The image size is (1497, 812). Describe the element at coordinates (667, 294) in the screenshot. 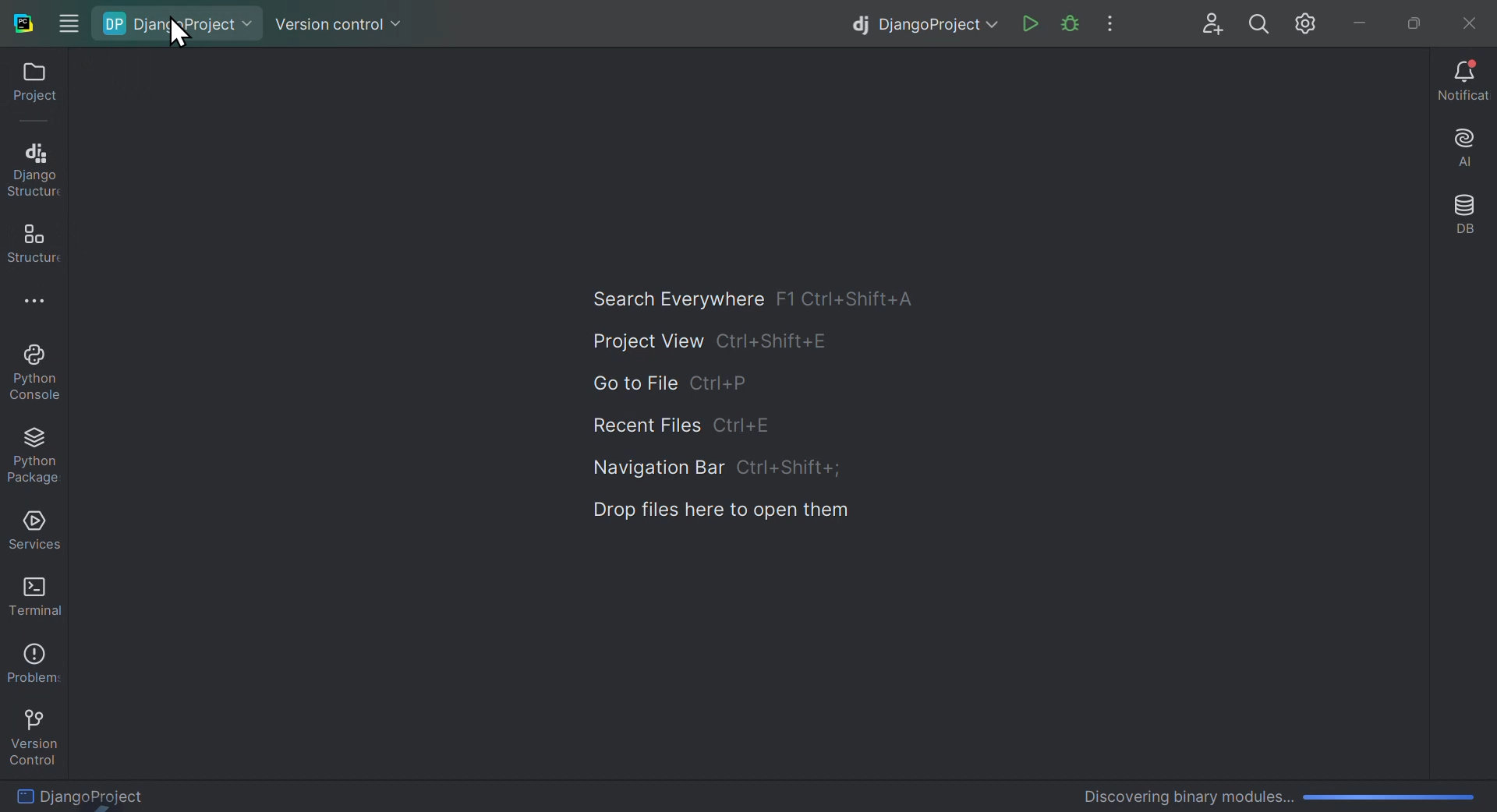

I see `Search everywhere` at that location.